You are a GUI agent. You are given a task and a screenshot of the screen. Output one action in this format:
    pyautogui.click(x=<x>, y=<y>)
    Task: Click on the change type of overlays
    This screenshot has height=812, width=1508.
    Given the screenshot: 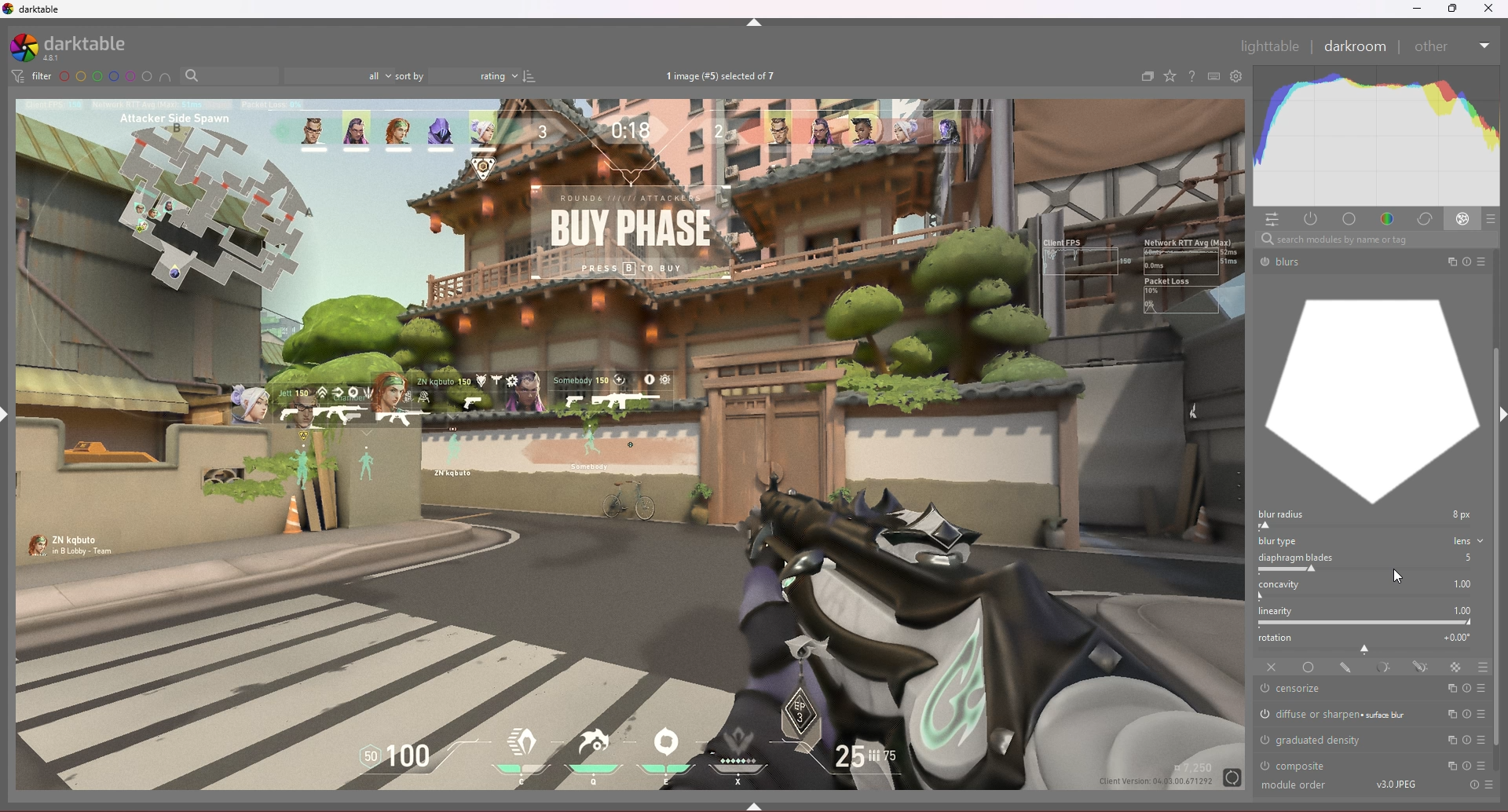 What is the action you would take?
    pyautogui.click(x=1171, y=75)
    